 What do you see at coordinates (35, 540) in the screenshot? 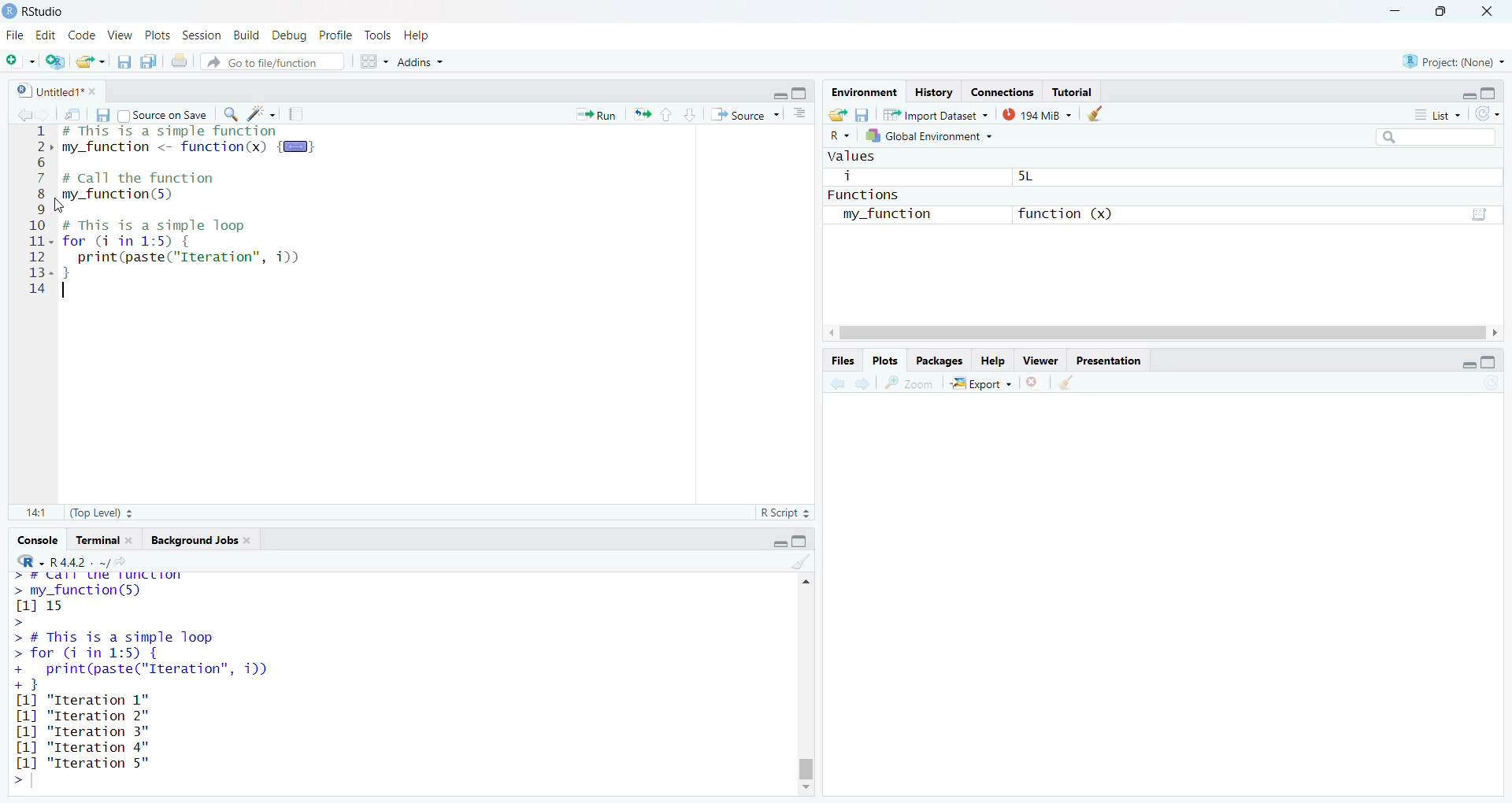
I see `console` at bounding box center [35, 540].